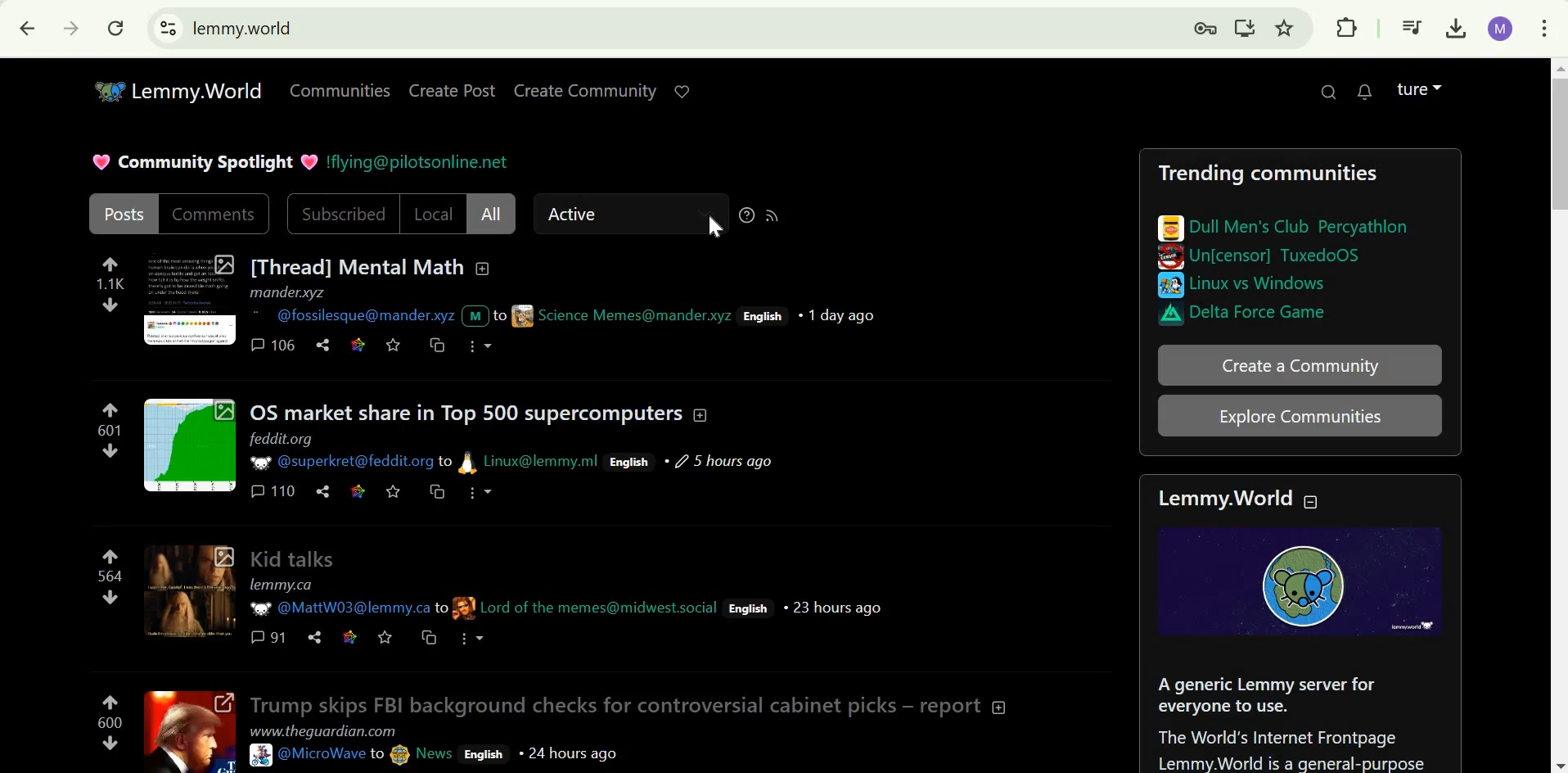 The height and width of the screenshot is (773, 1568). I want to click on 0 unread messages, so click(1369, 92).